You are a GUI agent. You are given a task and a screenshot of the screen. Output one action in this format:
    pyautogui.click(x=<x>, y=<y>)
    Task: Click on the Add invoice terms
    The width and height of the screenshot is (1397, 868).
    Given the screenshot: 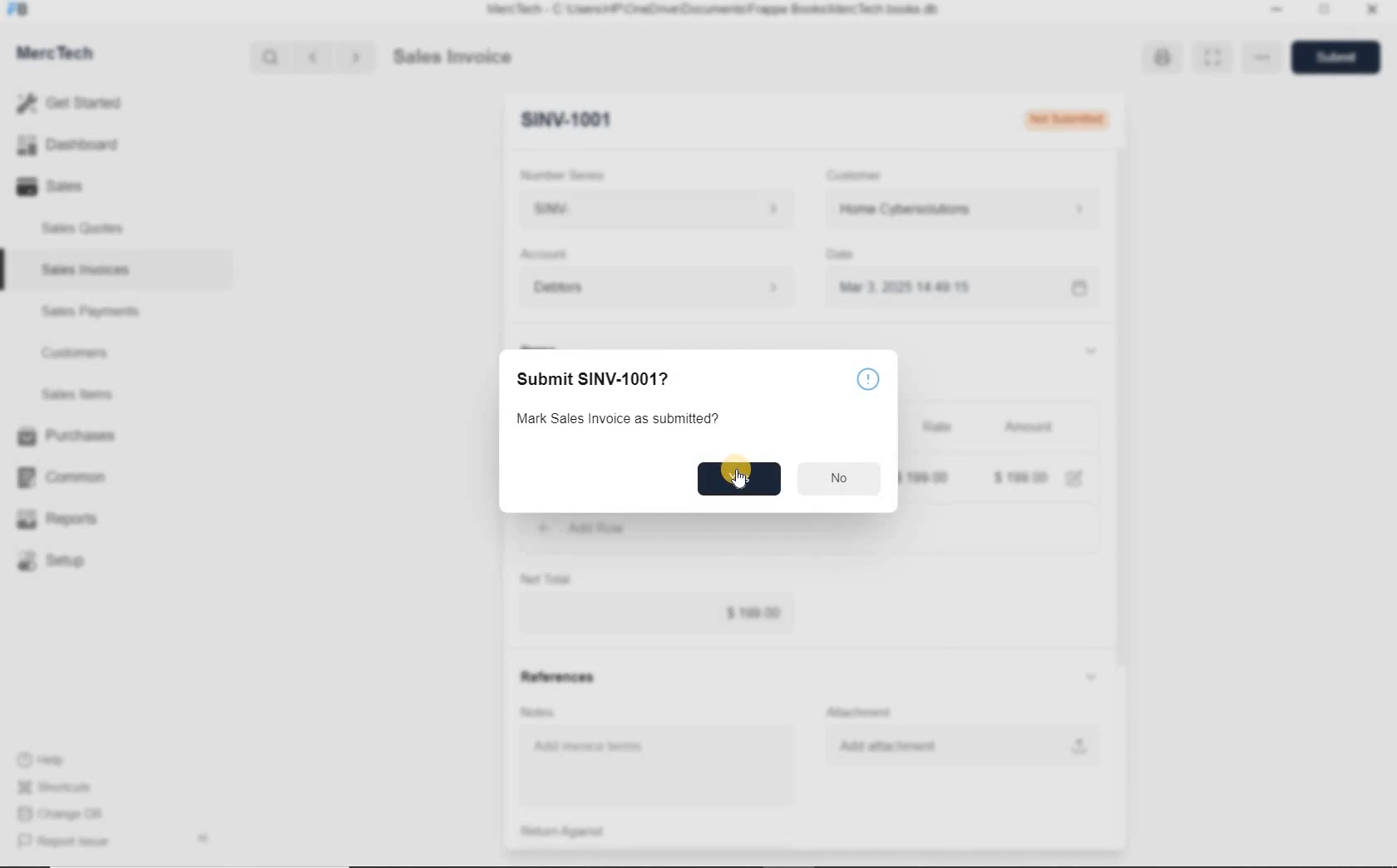 What is the action you would take?
    pyautogui.click(x=660, y=767)
    